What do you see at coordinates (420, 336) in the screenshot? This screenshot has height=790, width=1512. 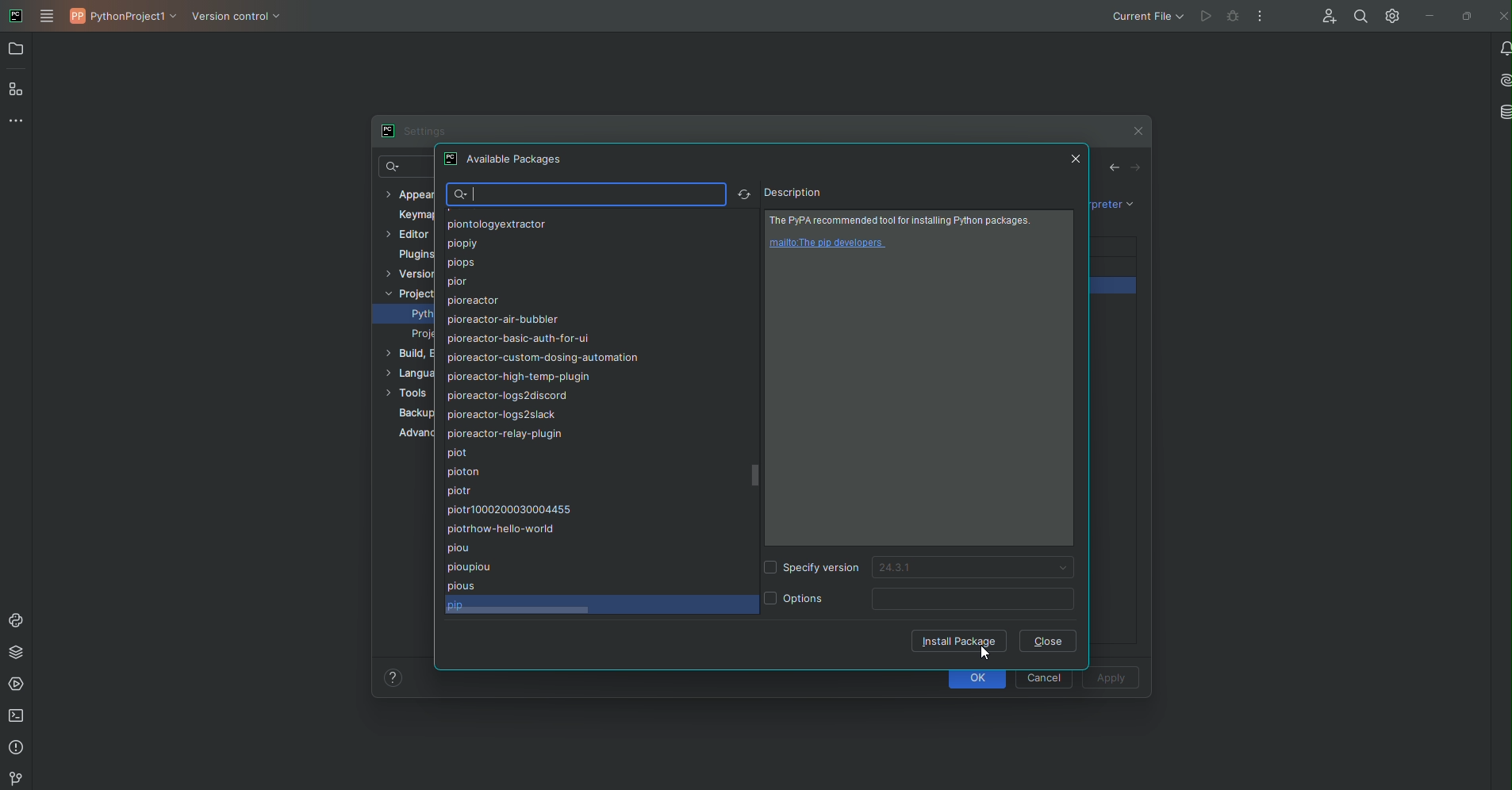 I see `Project Structure` at bounding box center [420, 336].